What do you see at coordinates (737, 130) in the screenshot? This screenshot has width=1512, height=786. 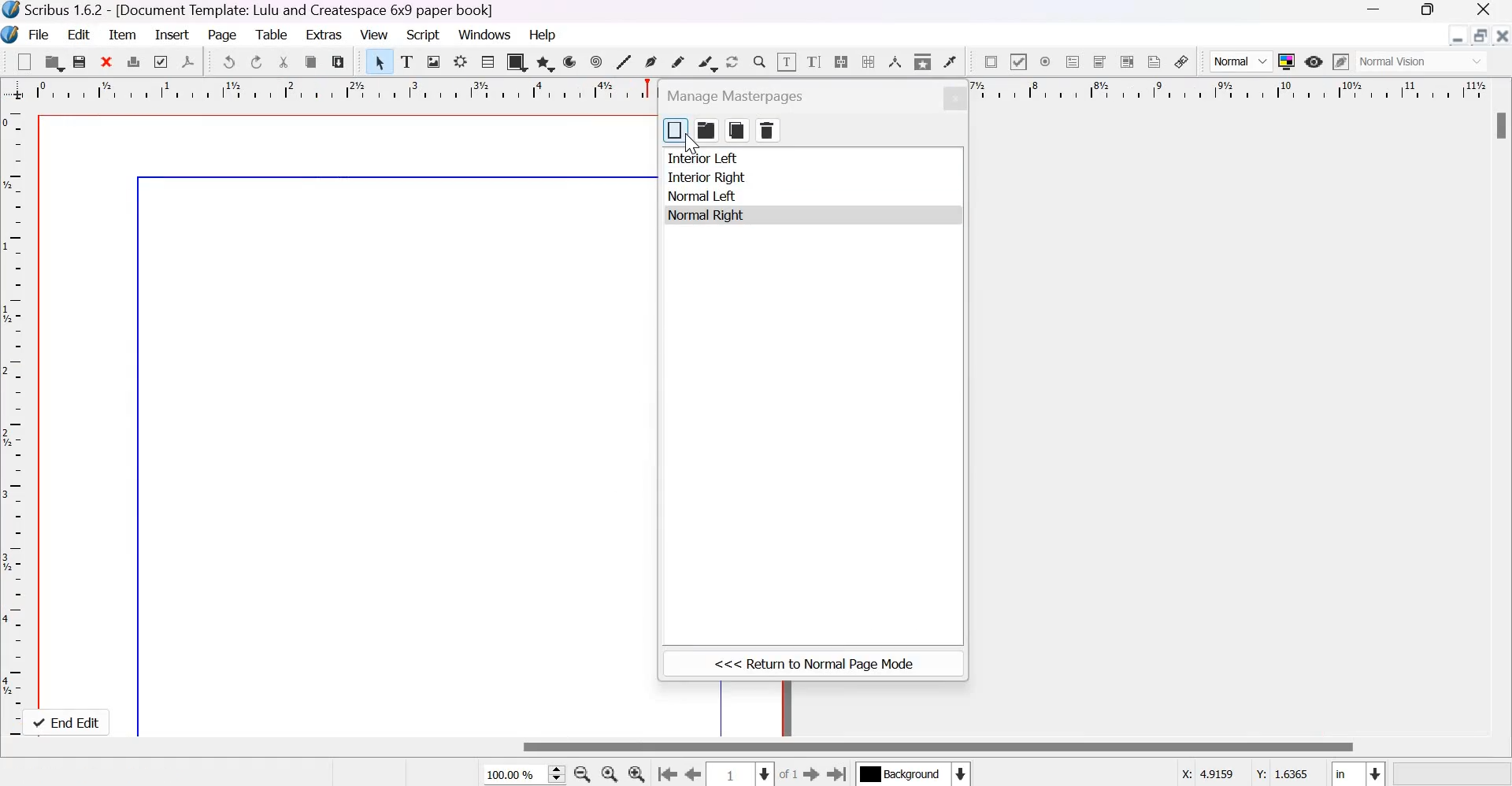 I see `duplicate the selected master page` at bounding box center [737, 130].